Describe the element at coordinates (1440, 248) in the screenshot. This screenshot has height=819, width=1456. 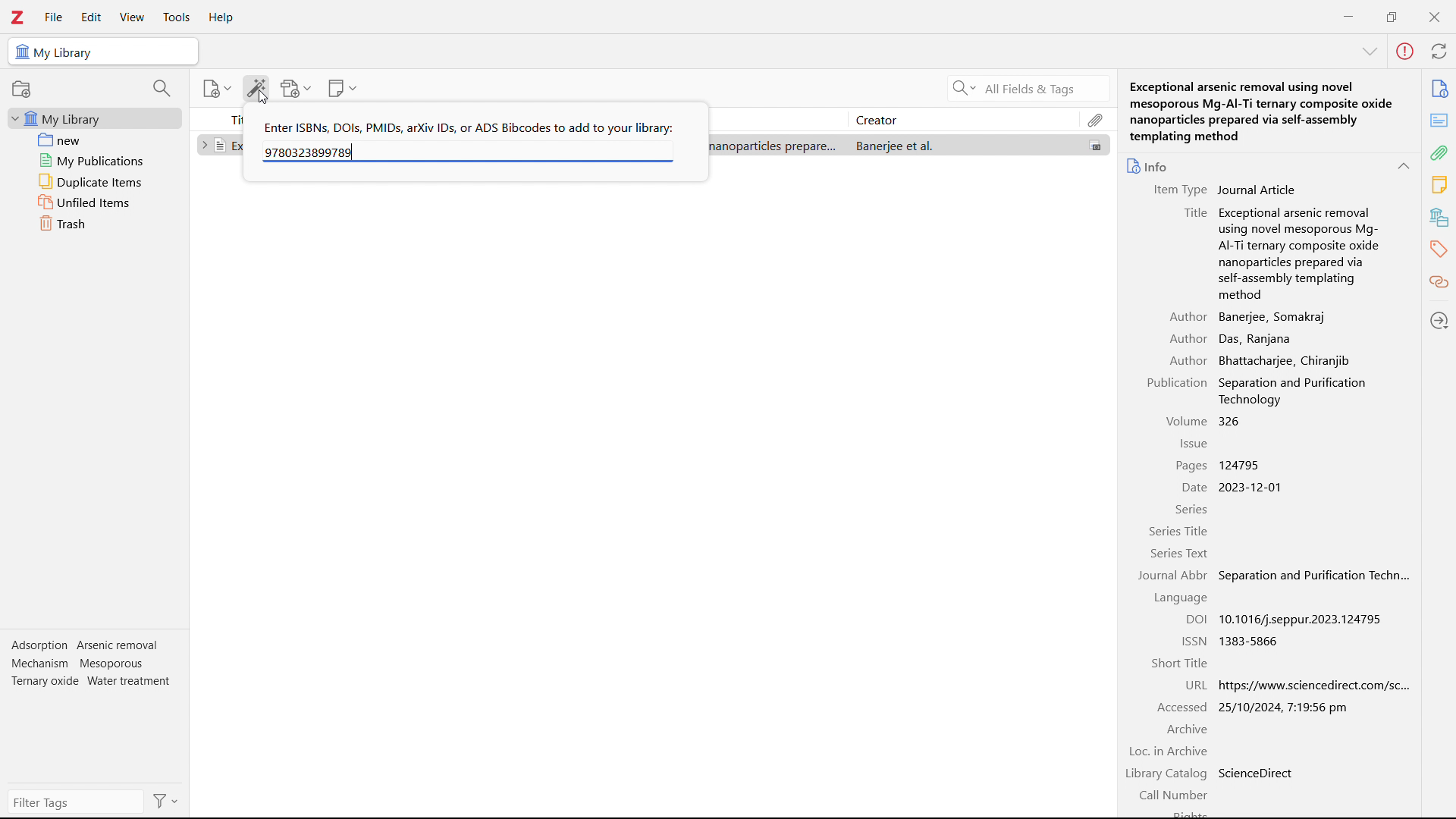
I see `tags` at that location.